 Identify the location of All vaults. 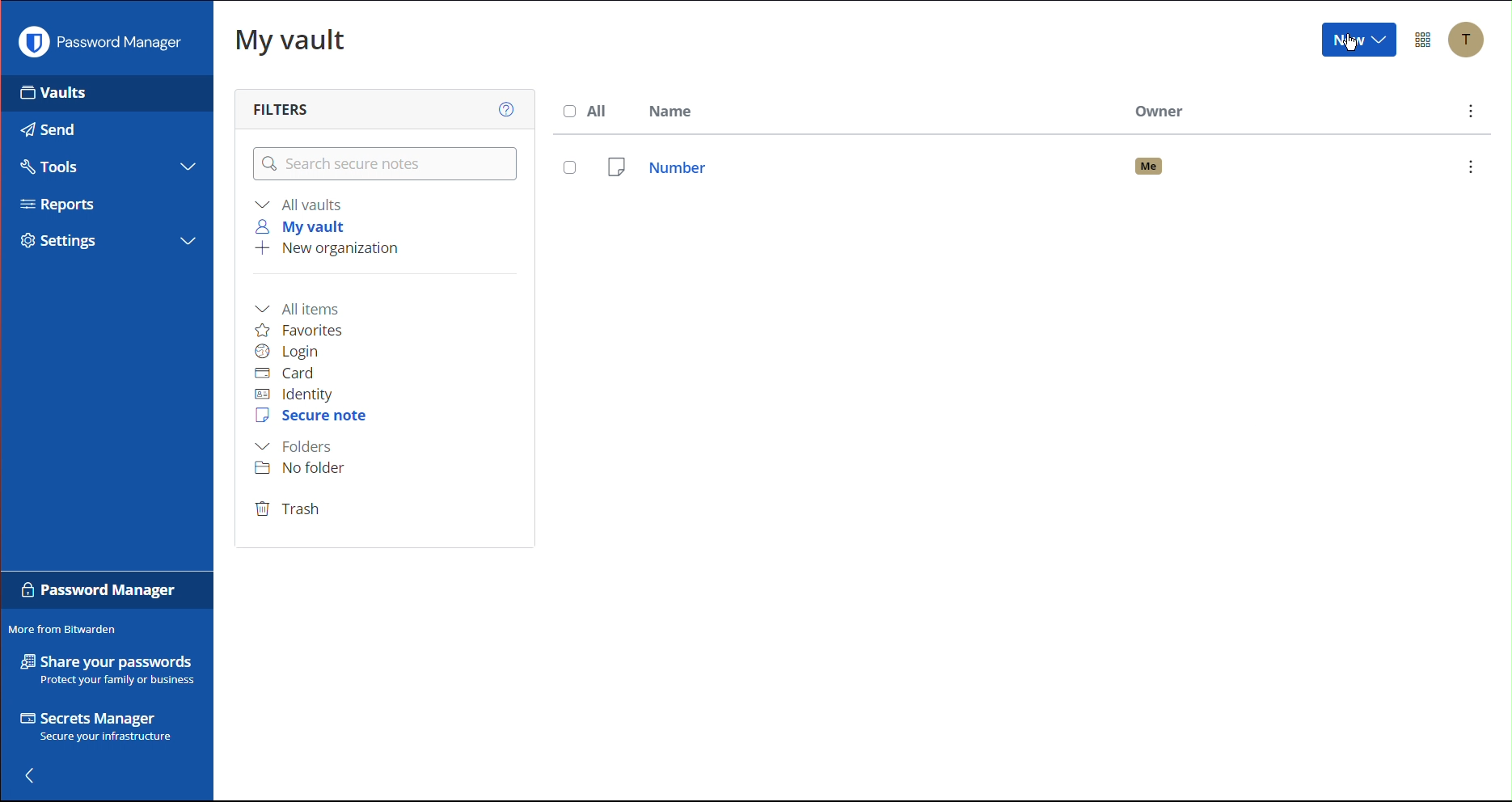
(302, 204).